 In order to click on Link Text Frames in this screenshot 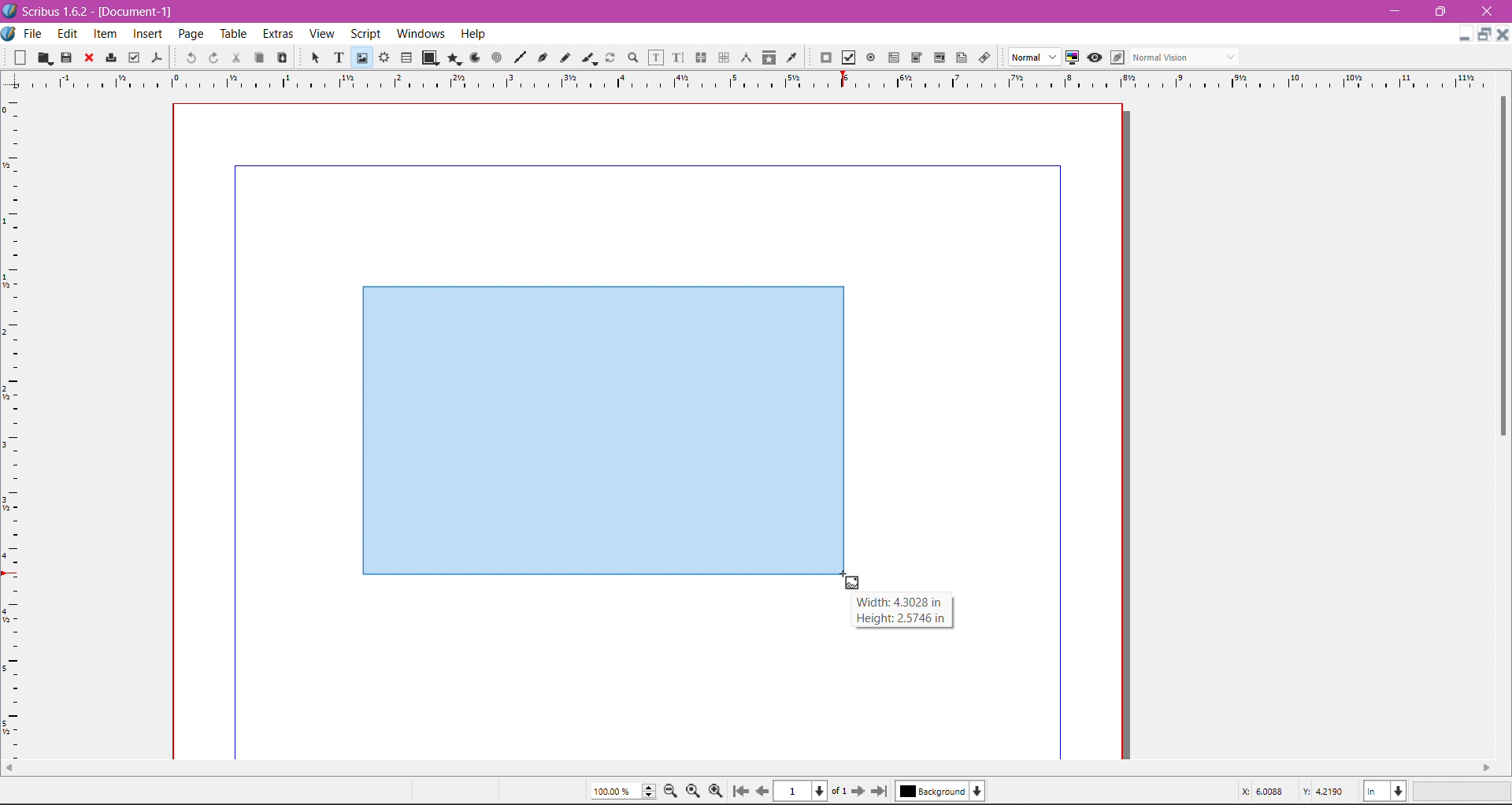, I will do `click(701, 57)`.